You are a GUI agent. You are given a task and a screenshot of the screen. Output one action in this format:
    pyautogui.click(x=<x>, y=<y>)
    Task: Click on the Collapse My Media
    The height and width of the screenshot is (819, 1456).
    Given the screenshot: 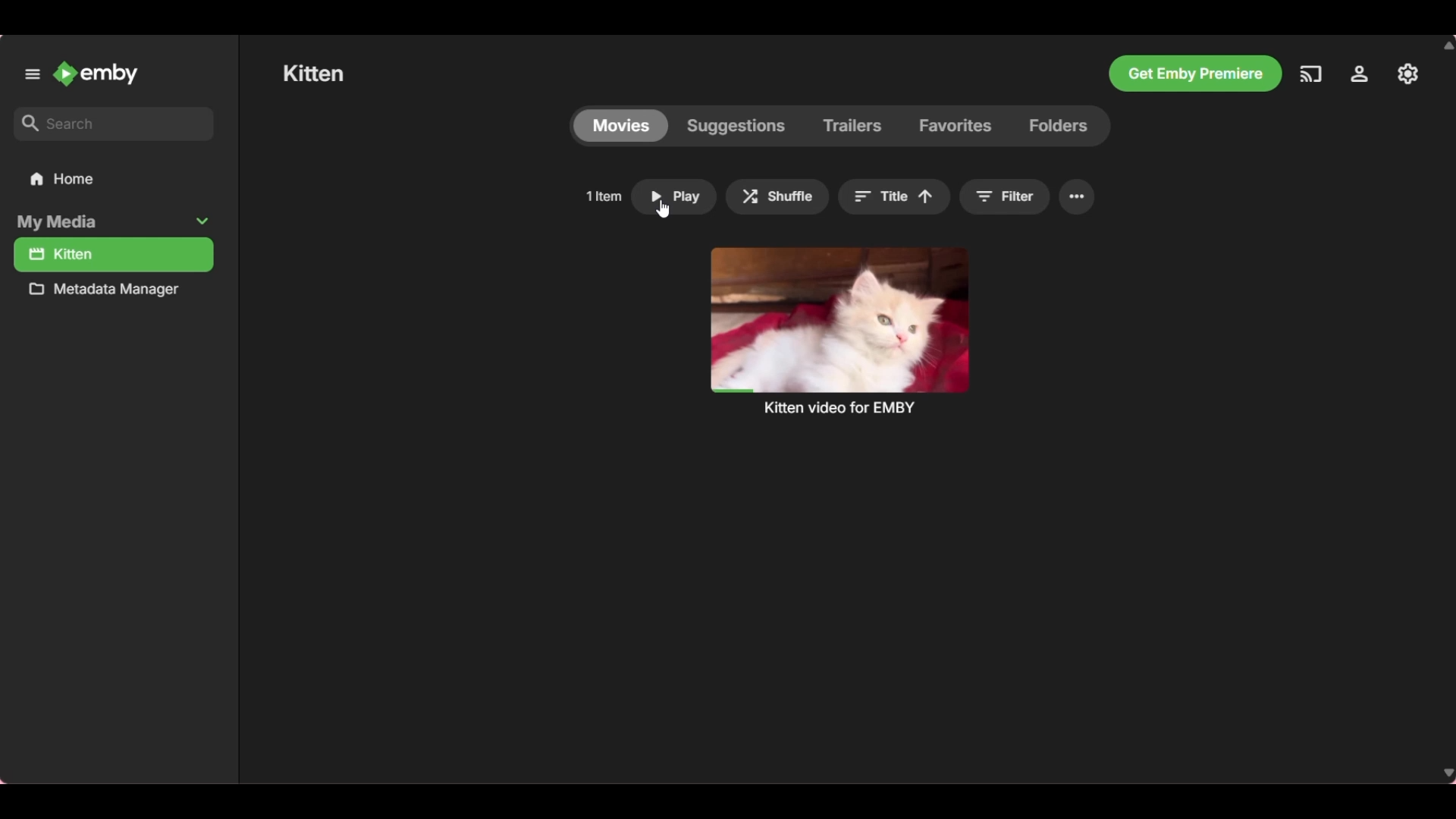 What is the action you would take?
    pyautogui.click(x=111, y=222)
    